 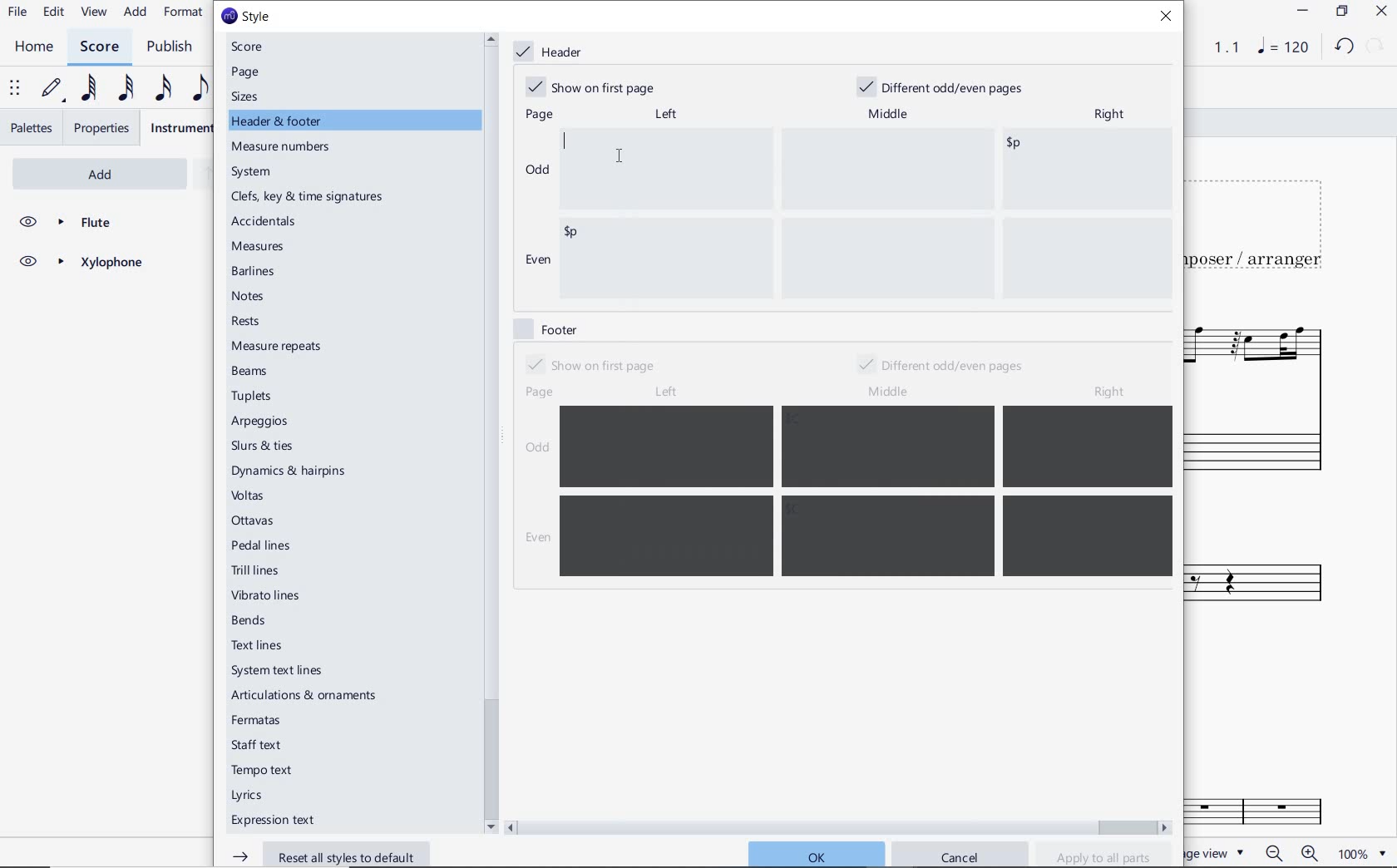 I want to click on notes, so click(x=249, y=296).